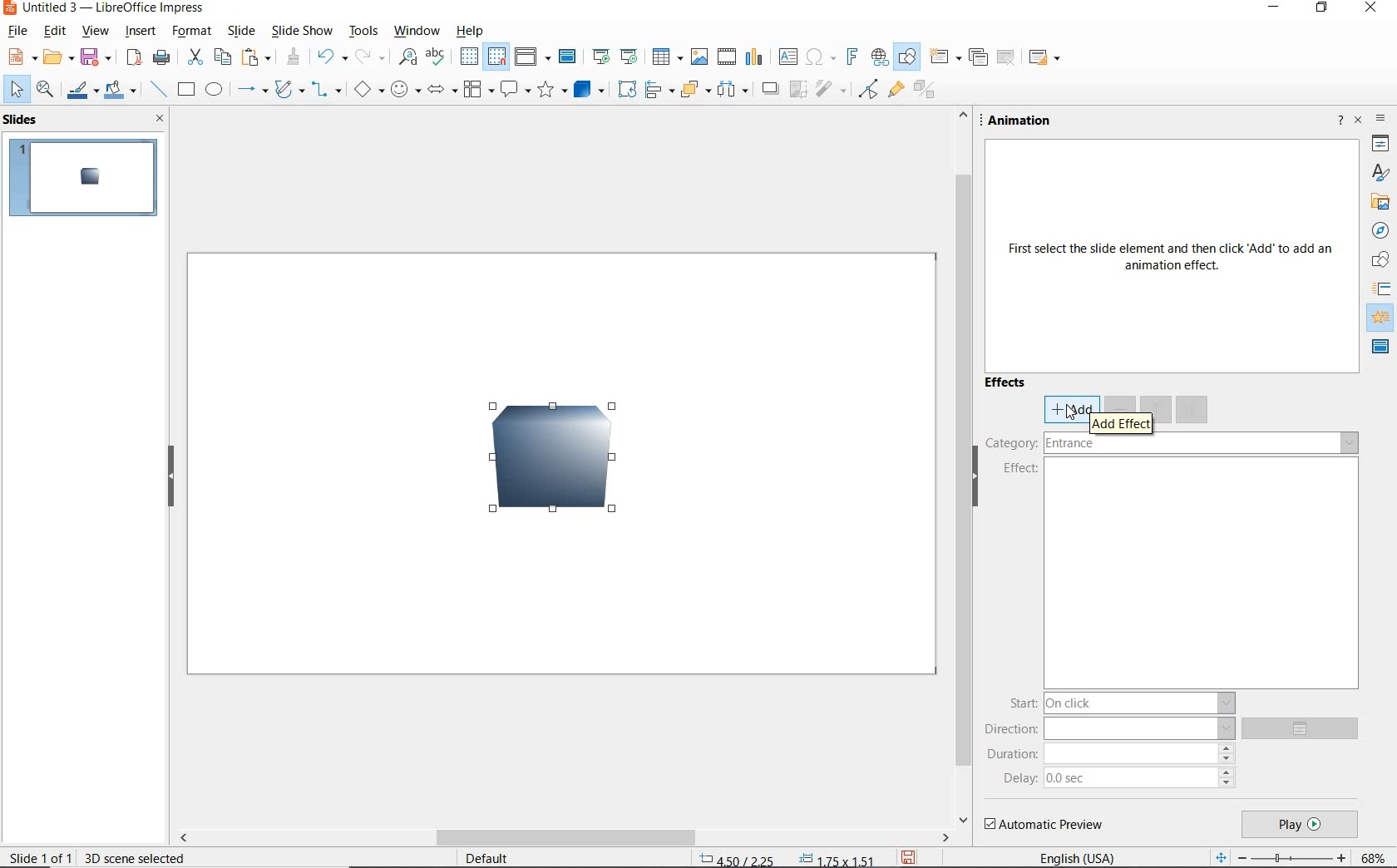 The width and height of the screenshot is (1397, 868). Describe the element at coordinates (498, 57) in the screenshot. I see `snap to grid` at that location.